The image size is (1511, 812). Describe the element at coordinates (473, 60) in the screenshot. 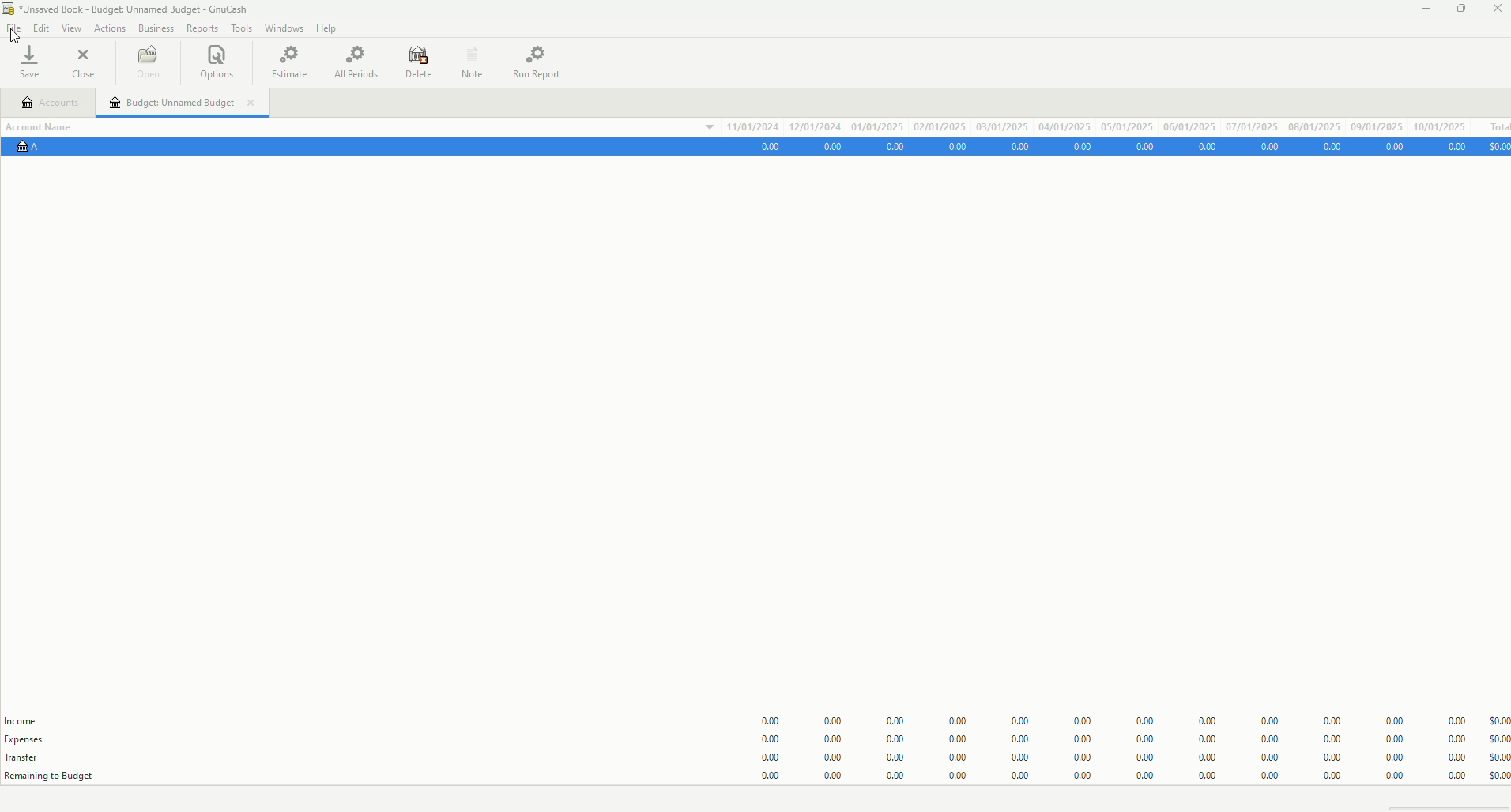

I see `Note` at that location.